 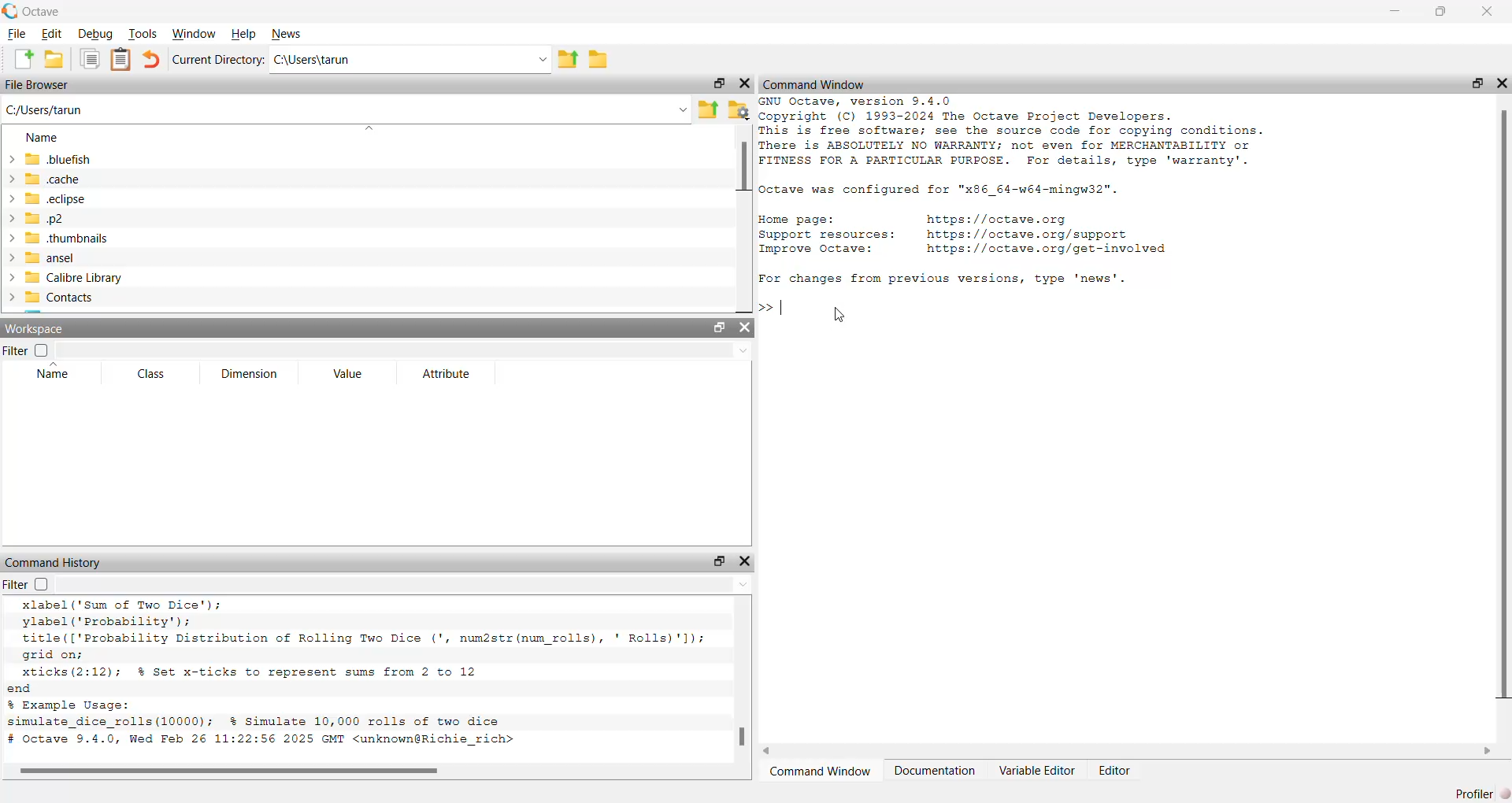 What do you see at coordinates (55, 61) in the screenshot?
I see `Create Folder` at bounding box center [55, 61].